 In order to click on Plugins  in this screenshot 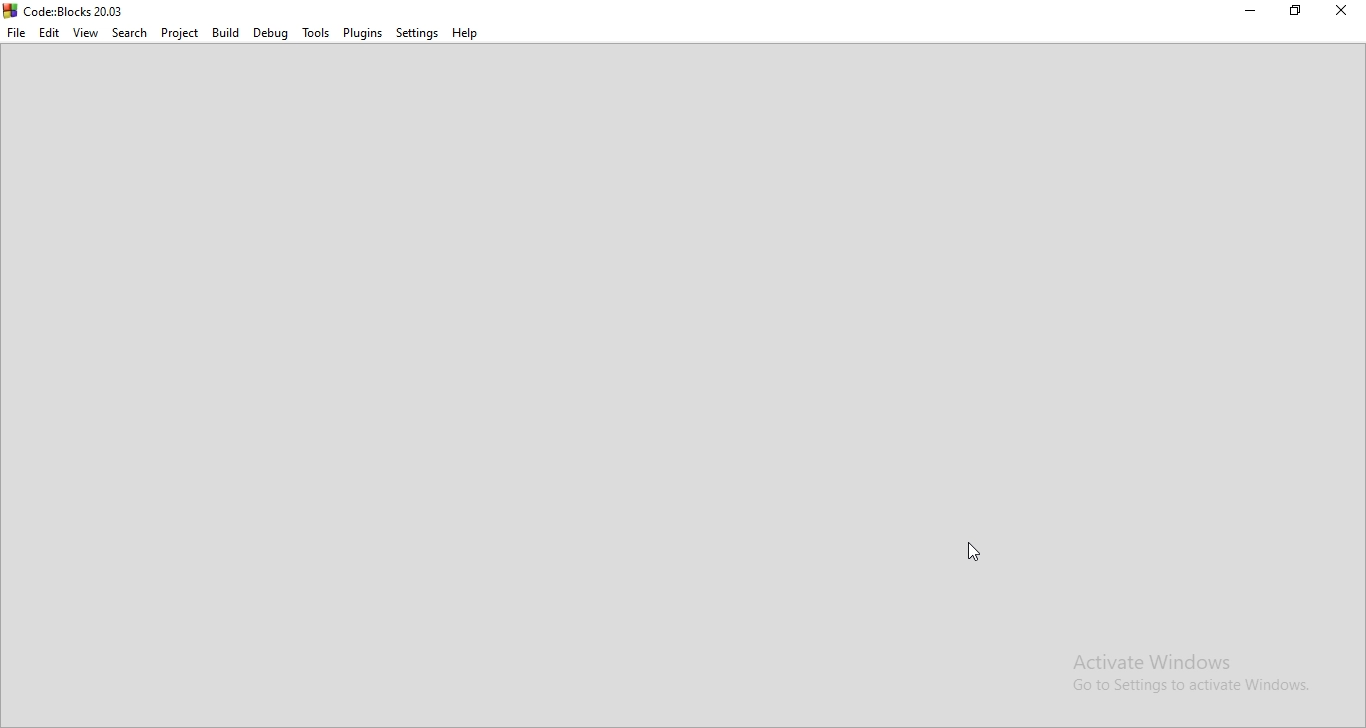, I will do `click(362, 32)`.